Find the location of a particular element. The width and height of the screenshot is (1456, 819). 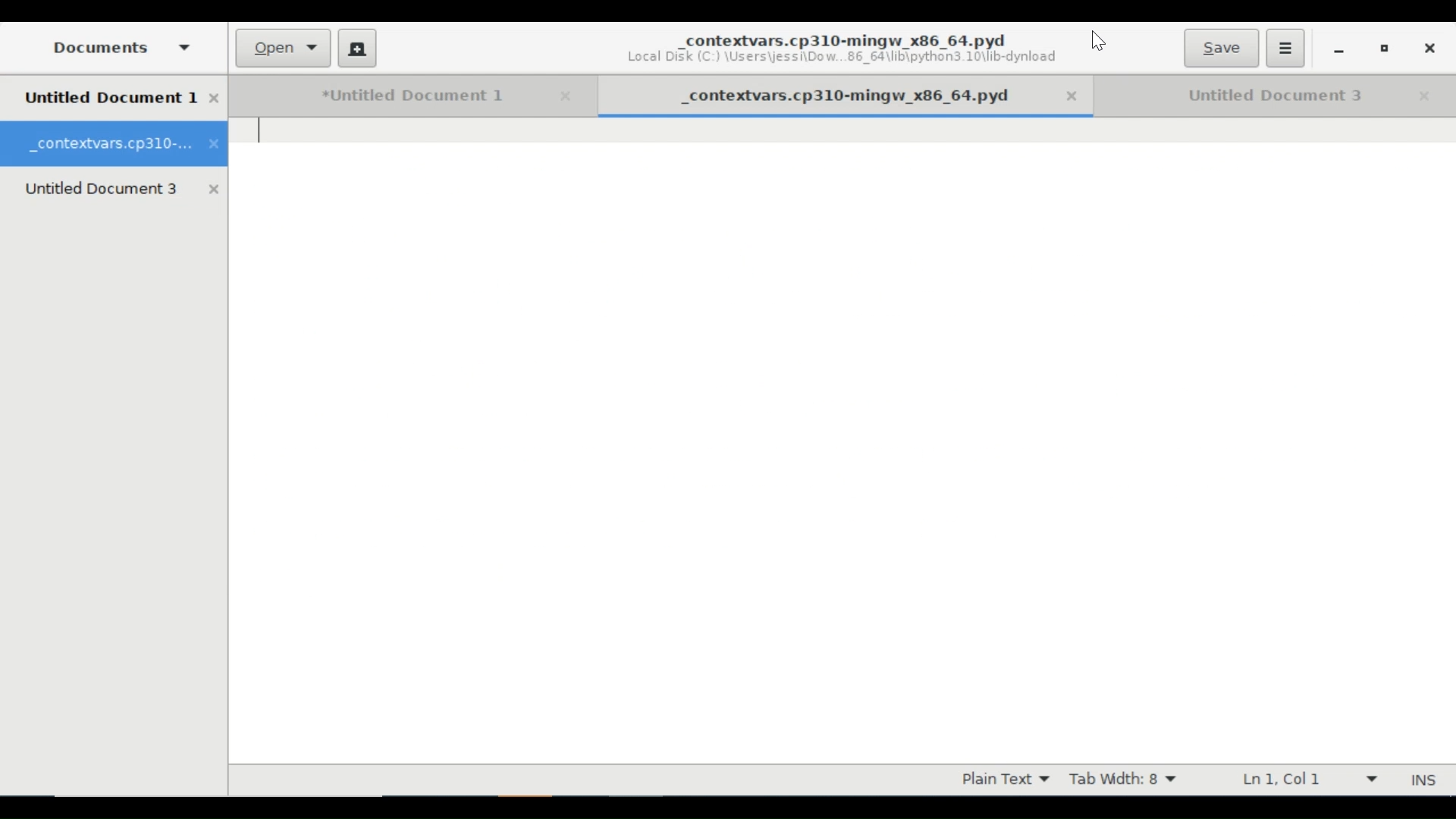

_contextvars.cp310-minger_xc86_64.pyd Tab is located at coordinates (830, 94).